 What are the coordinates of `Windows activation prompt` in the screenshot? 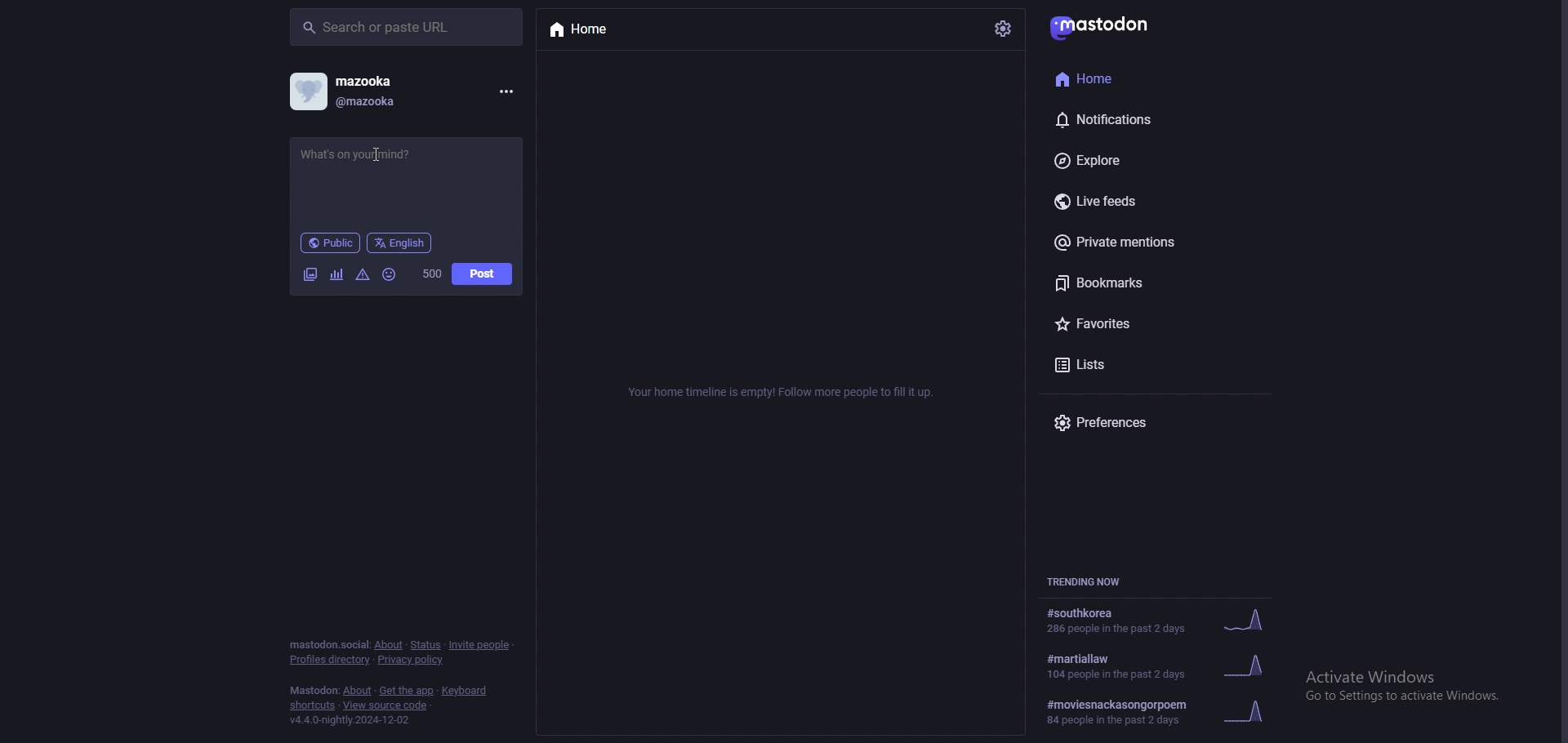 It's located at (1403, 683).